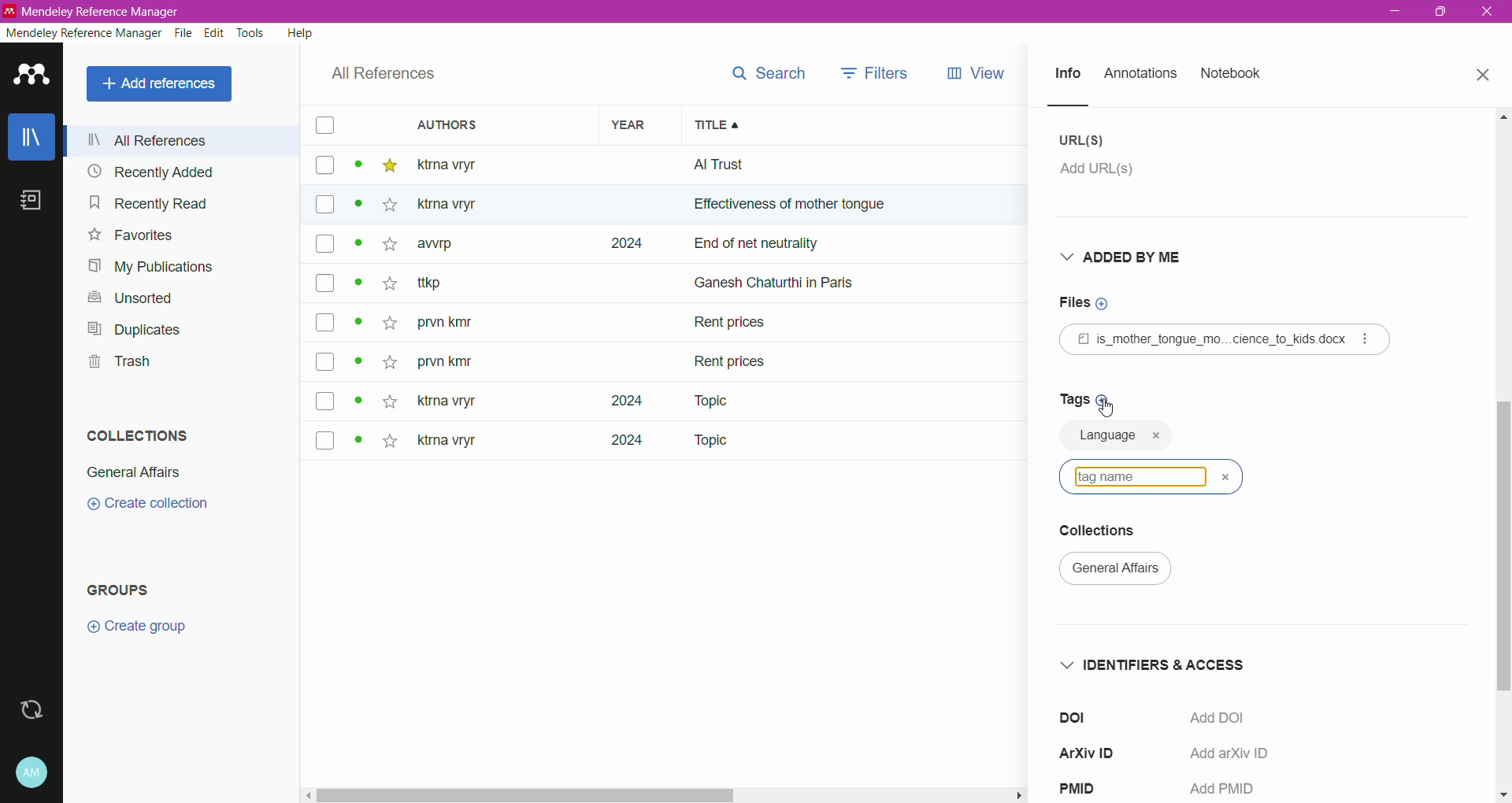 The image size is (1512, 803). What do you see at coordinates (325, 246) in the screenshot?
I see `box` at bounding box center [325, 246].